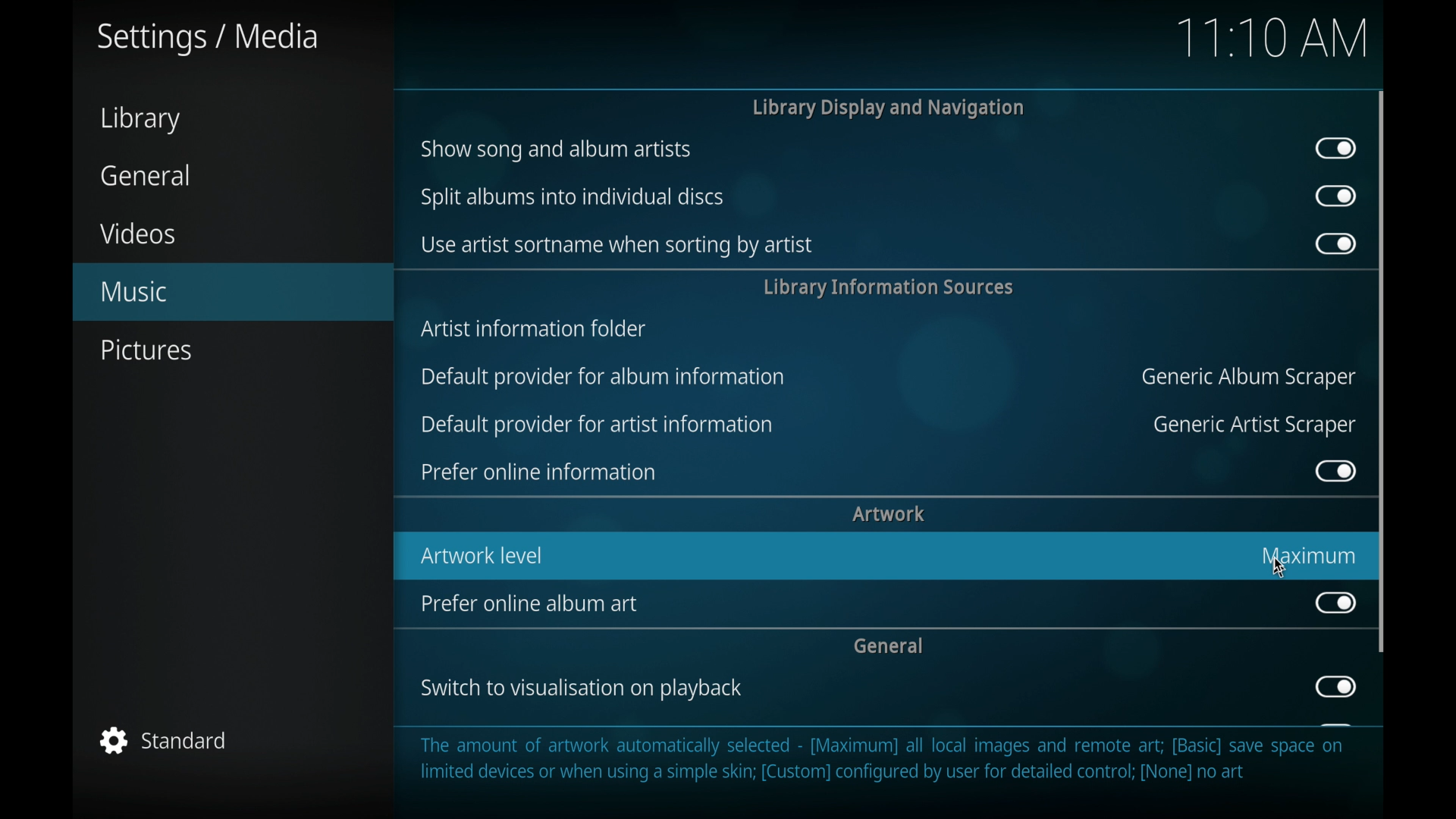 The height and width of the screenshot is (819, 1456). I want to click on library display and navigation, so click(887, 108).